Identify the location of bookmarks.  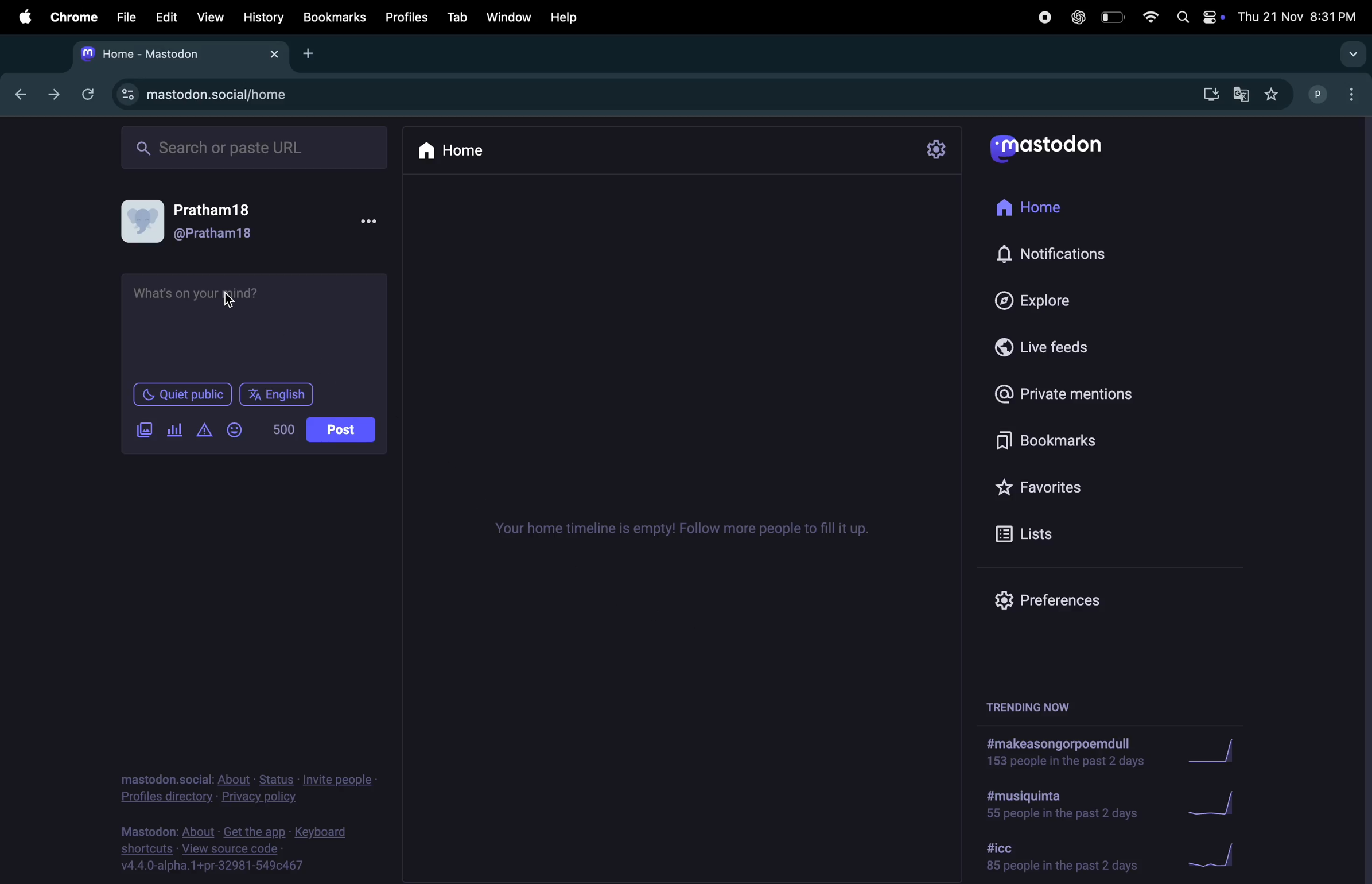
(1045, 441).